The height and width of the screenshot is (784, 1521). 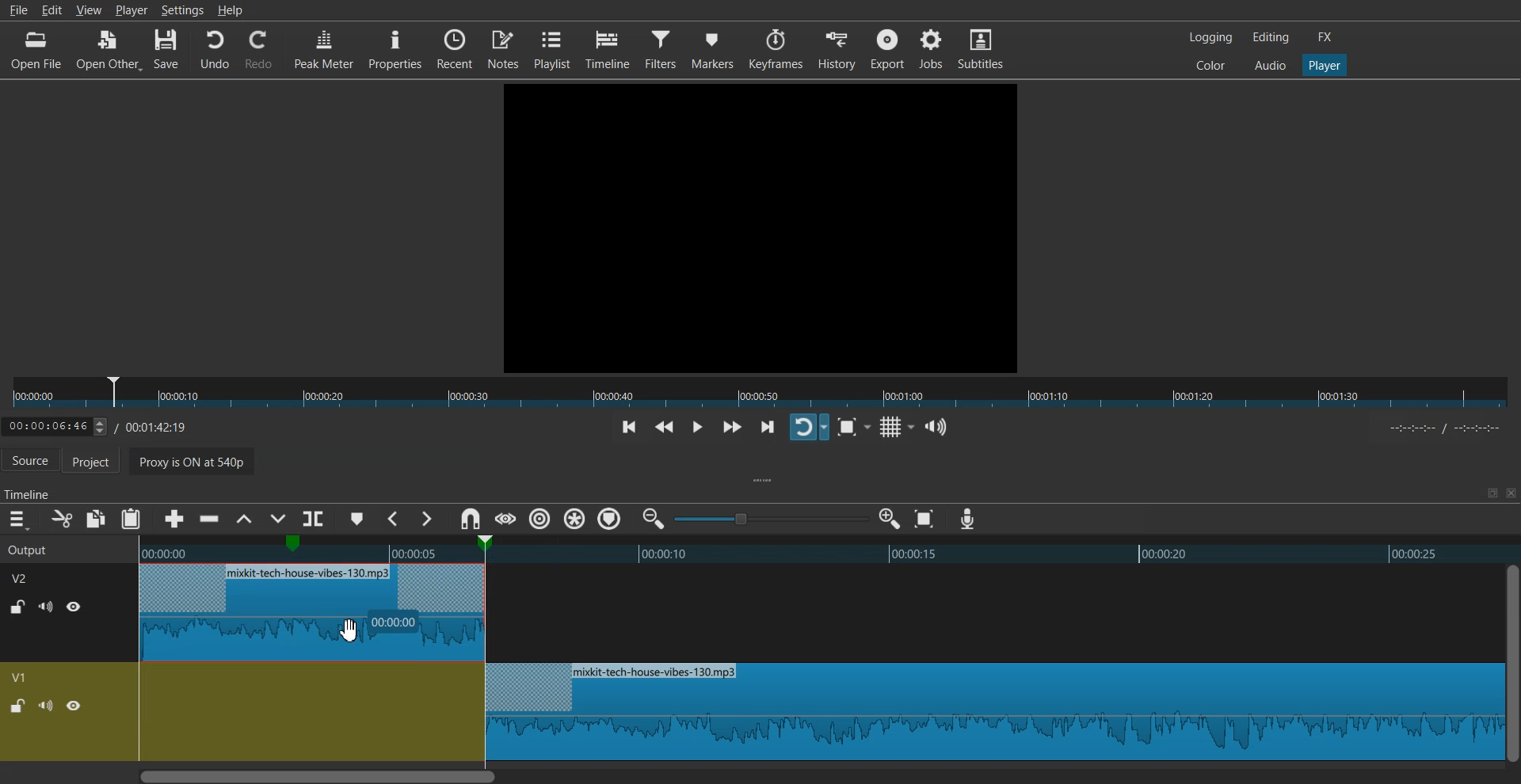 I want to click on V1, so click(x=21, y=677).